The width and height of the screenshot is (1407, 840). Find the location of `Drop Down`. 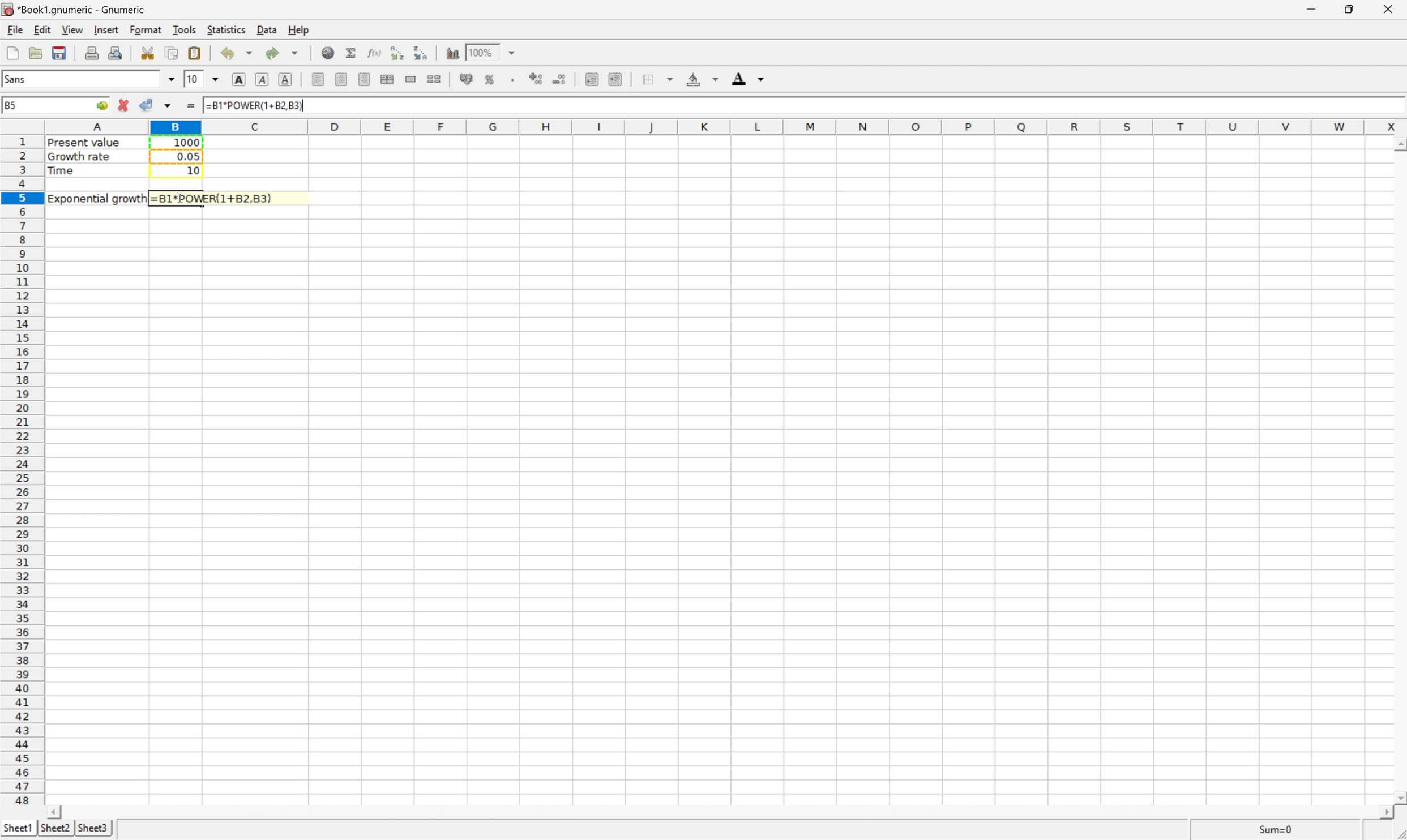

Drop Down is located at coordinates (515, 53).